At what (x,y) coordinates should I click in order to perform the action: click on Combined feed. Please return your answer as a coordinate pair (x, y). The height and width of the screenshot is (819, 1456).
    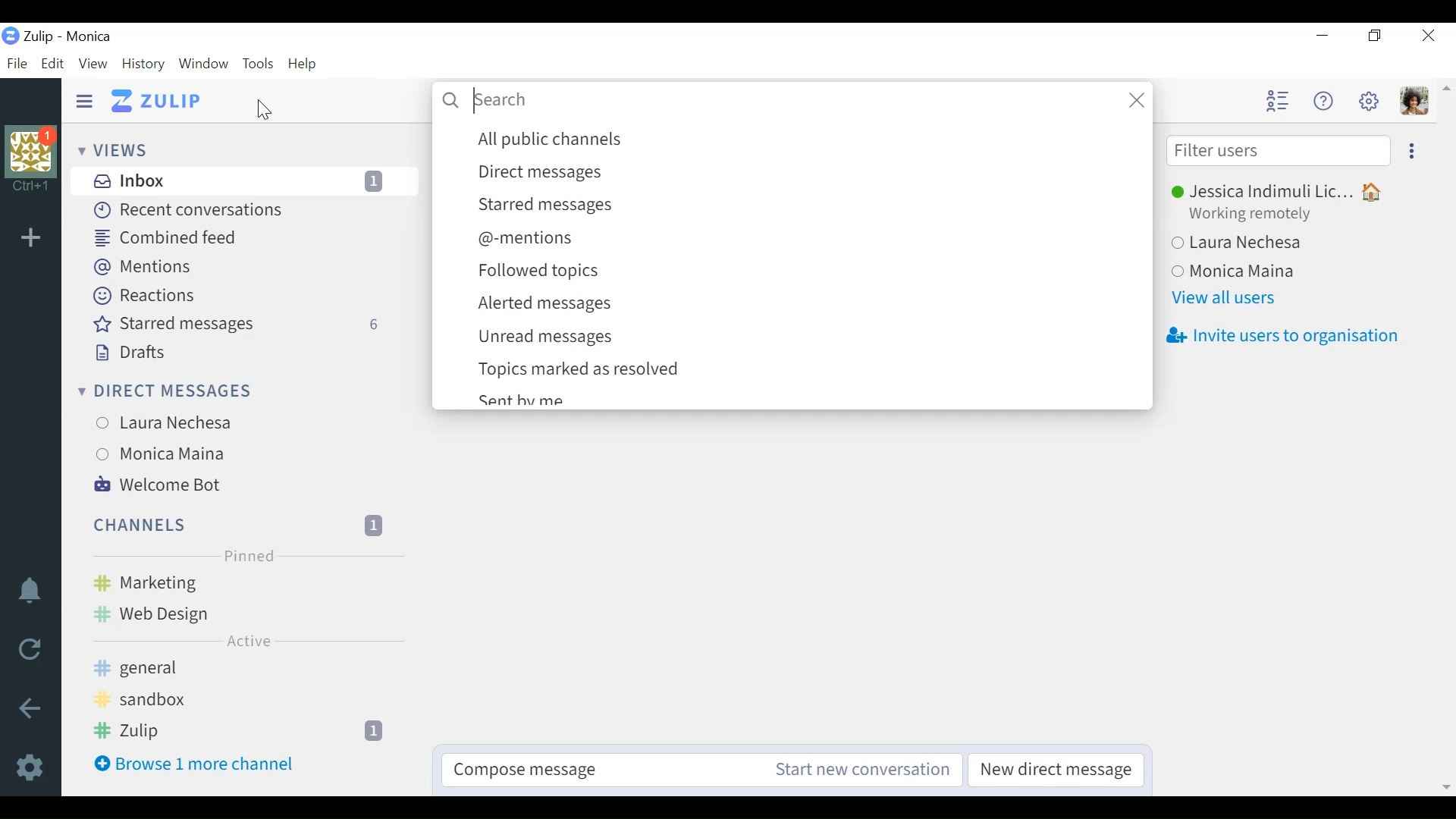
    Looking at the image, I should click on (165, 239).